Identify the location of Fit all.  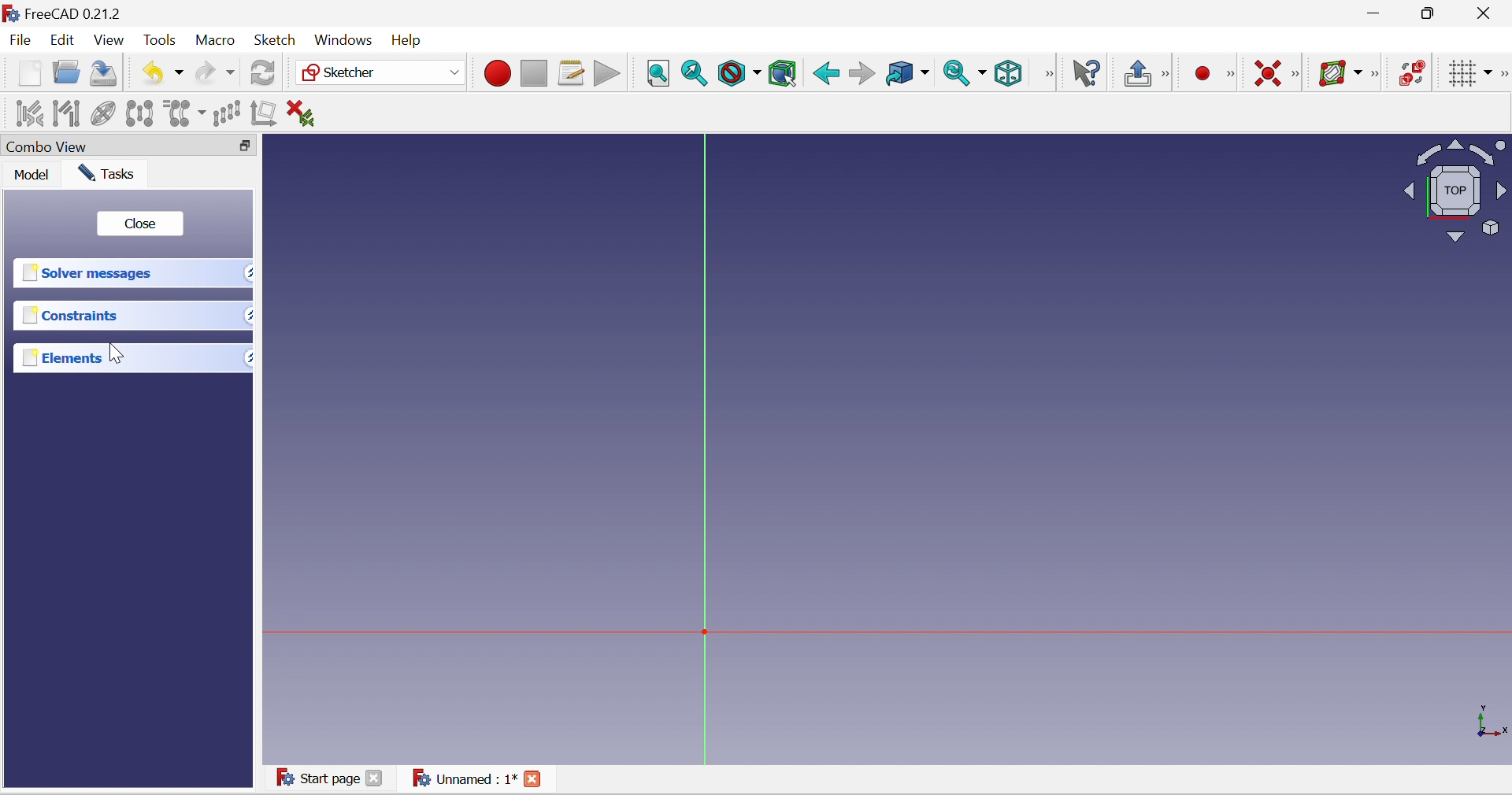
(657, 73).